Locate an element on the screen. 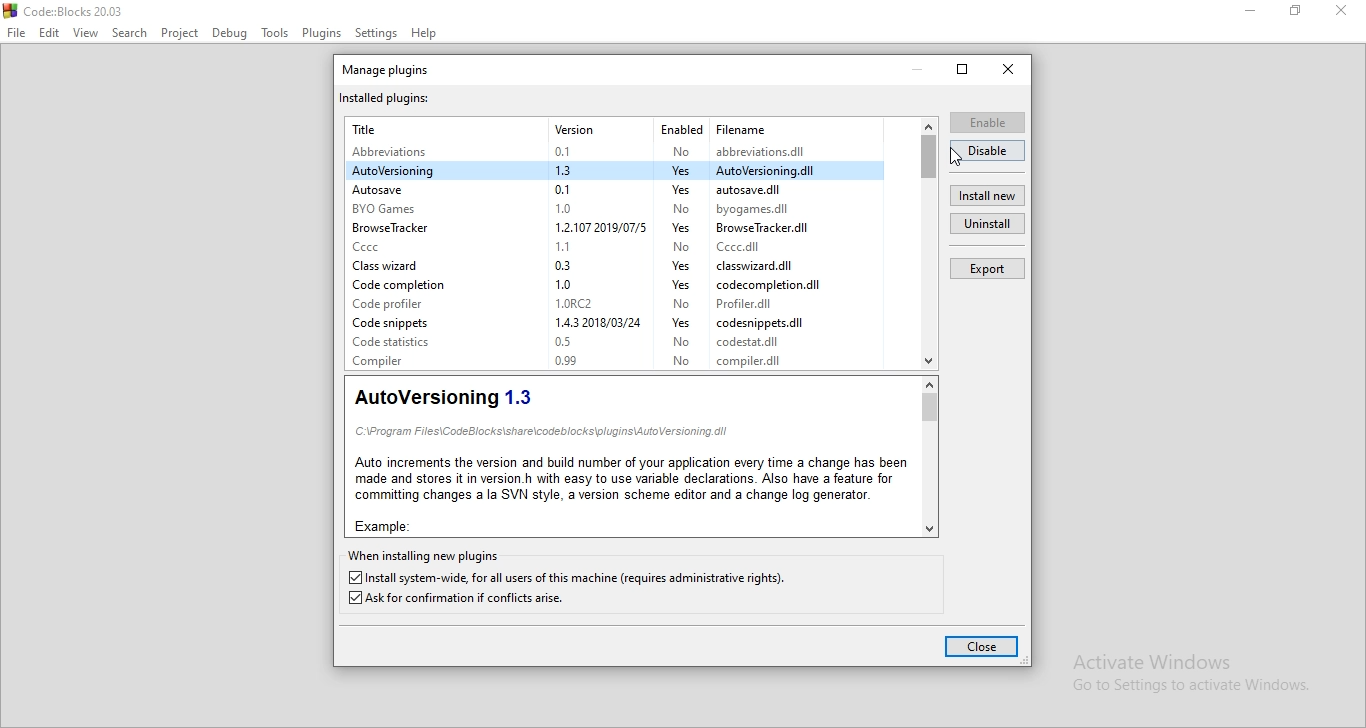 The height and width of the screenshot is (728, 1366). Install system-wide, for all users of this machine (requires administrative rights). is located at coordinates (568, 578).